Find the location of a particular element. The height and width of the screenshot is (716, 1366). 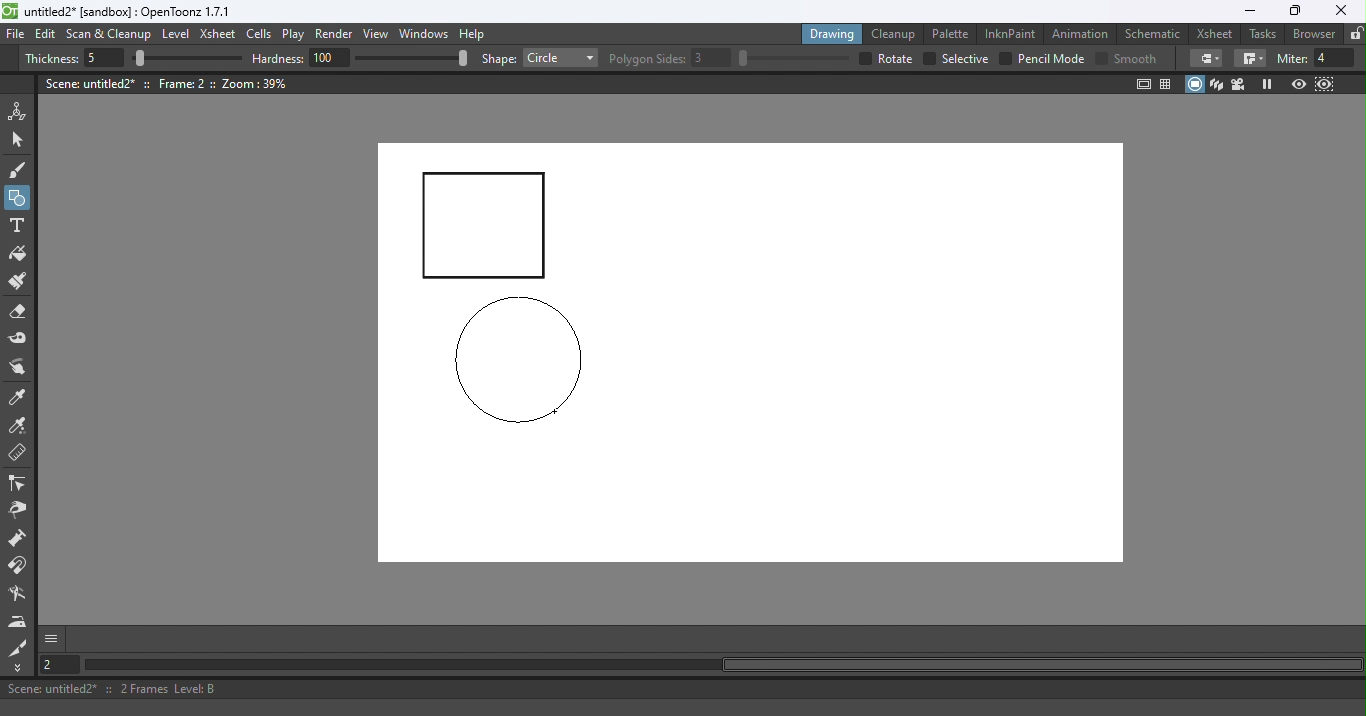

Polygon slides is located at coordinates (647, 59).